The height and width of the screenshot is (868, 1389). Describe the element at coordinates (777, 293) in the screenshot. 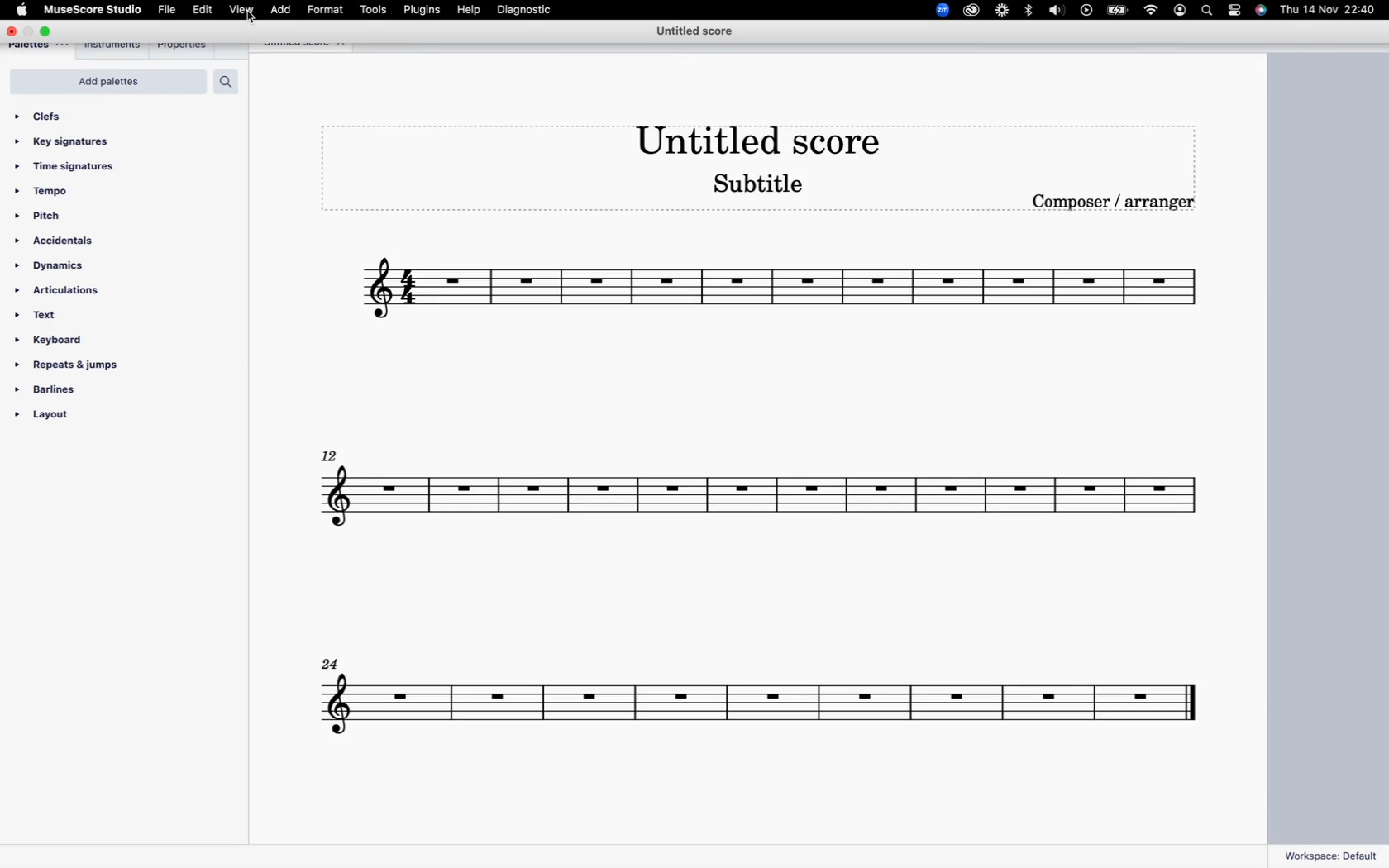

I see `score` at that location.